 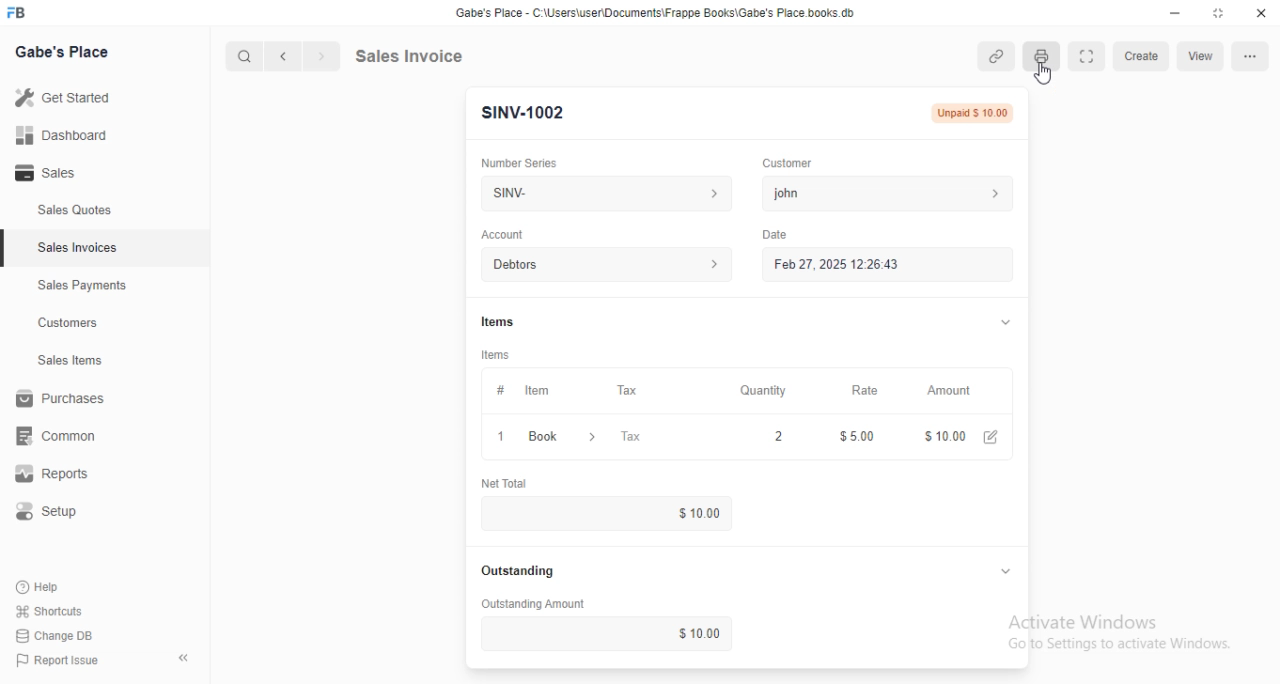 What do you see at coordinates (627, 389) in the screenshot?
I see `tax` at bounding box center [627, 389].